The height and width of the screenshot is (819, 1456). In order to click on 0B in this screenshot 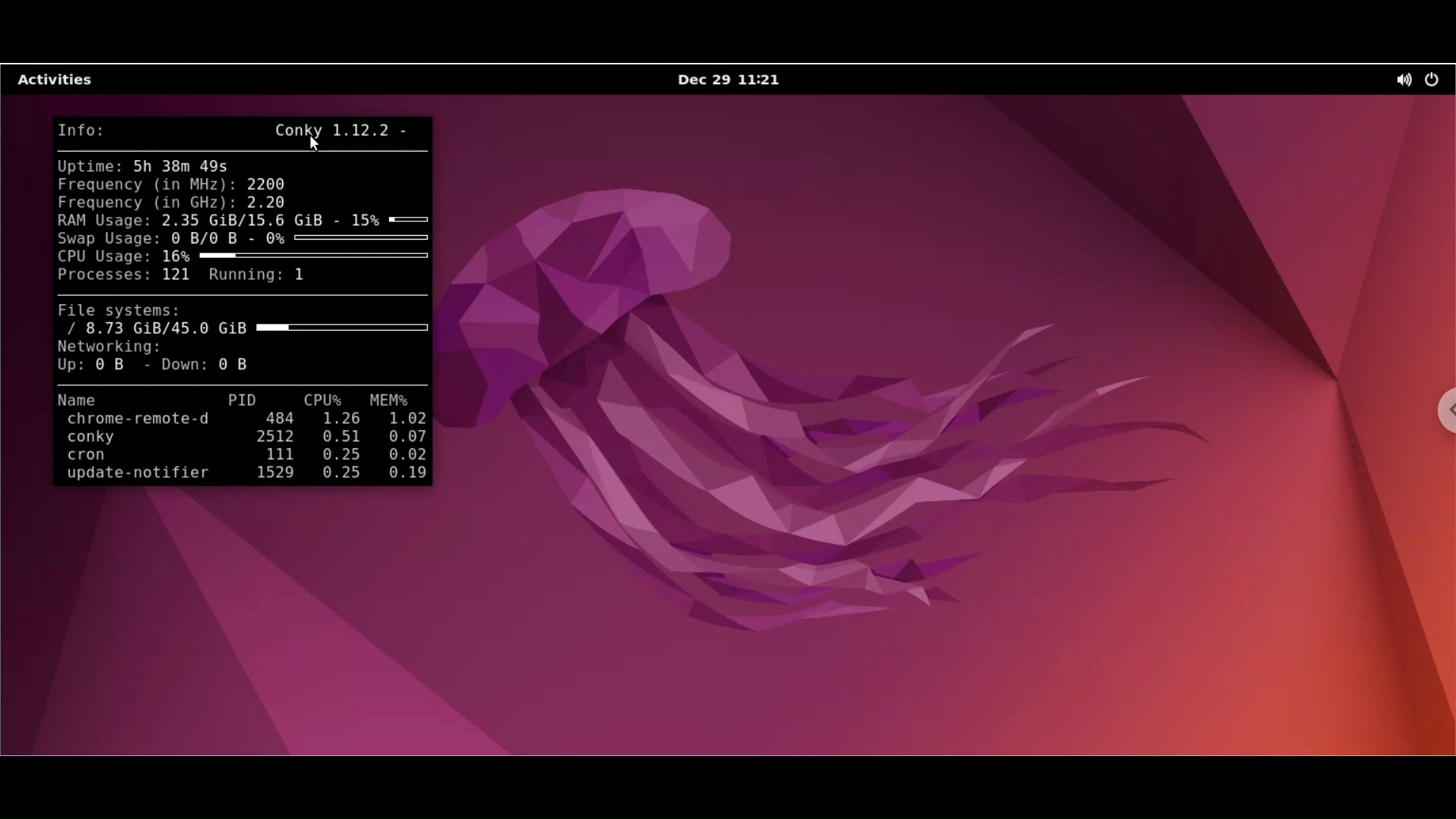, I will do `click(116, 367)`.